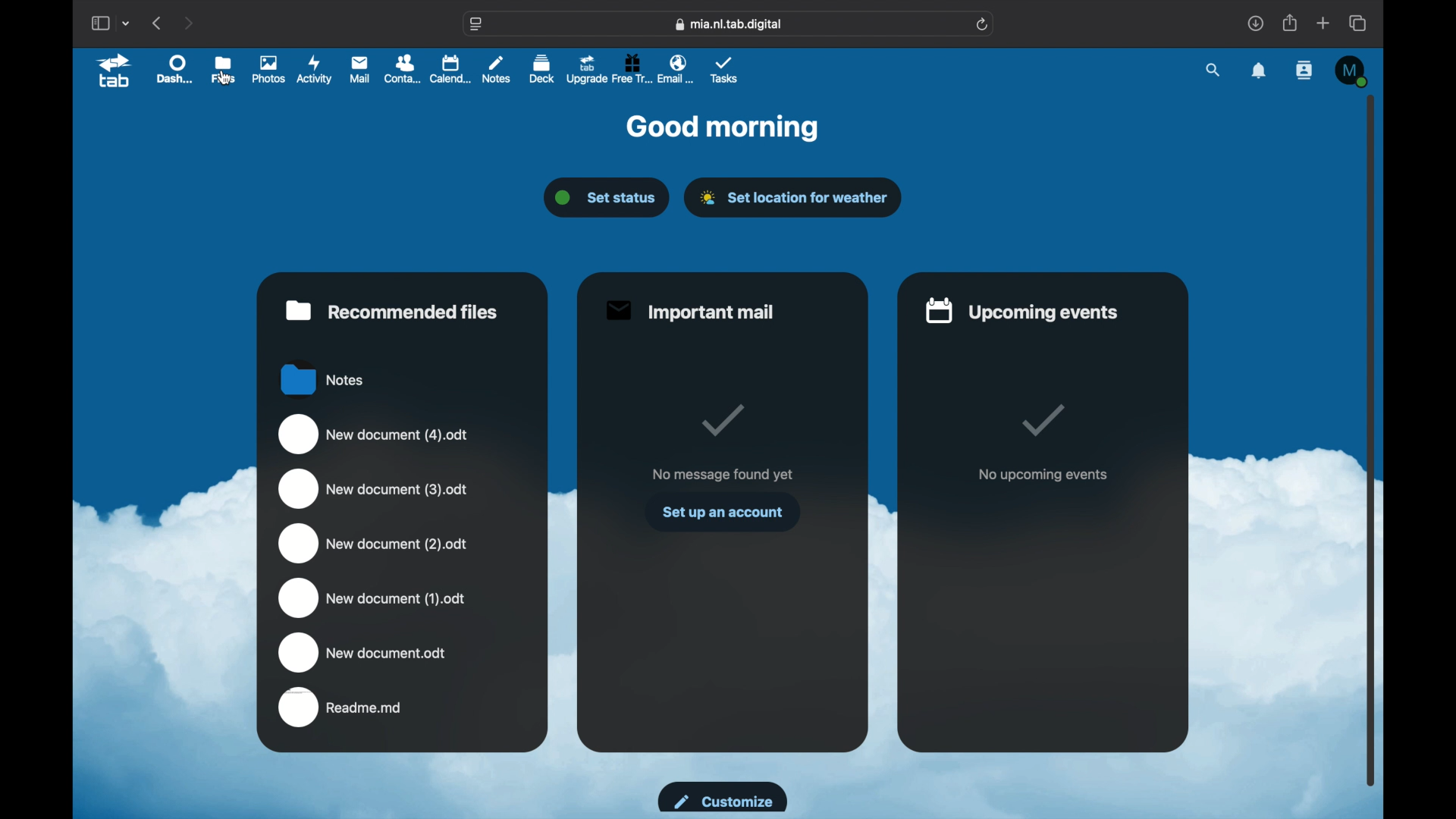 The image size is (1456, 819). I want to click on no upcoming events, so click(1043, 475).